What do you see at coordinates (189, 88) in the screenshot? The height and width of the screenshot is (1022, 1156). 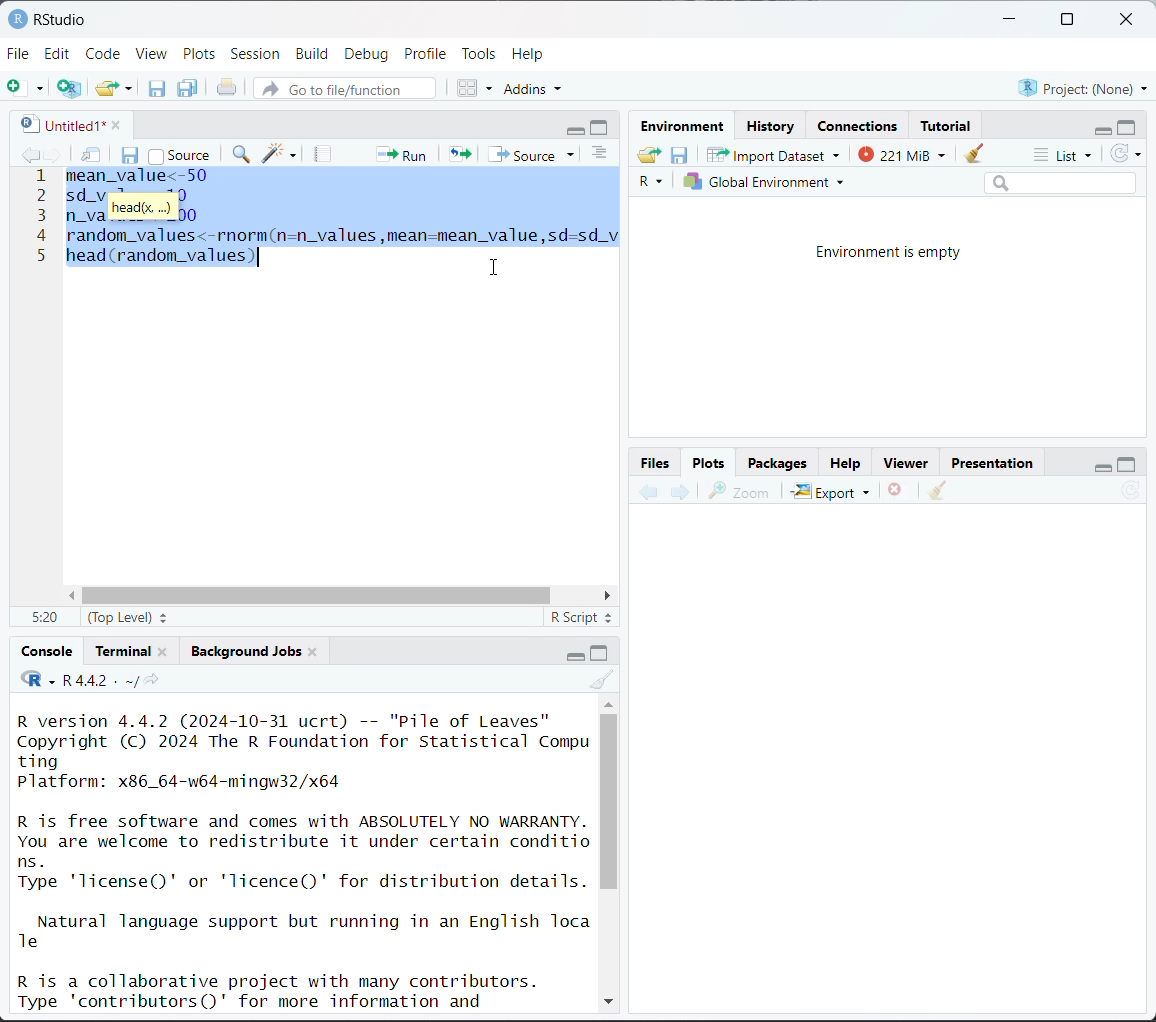 I see `save all open documents` at bounding box center [189, 88].